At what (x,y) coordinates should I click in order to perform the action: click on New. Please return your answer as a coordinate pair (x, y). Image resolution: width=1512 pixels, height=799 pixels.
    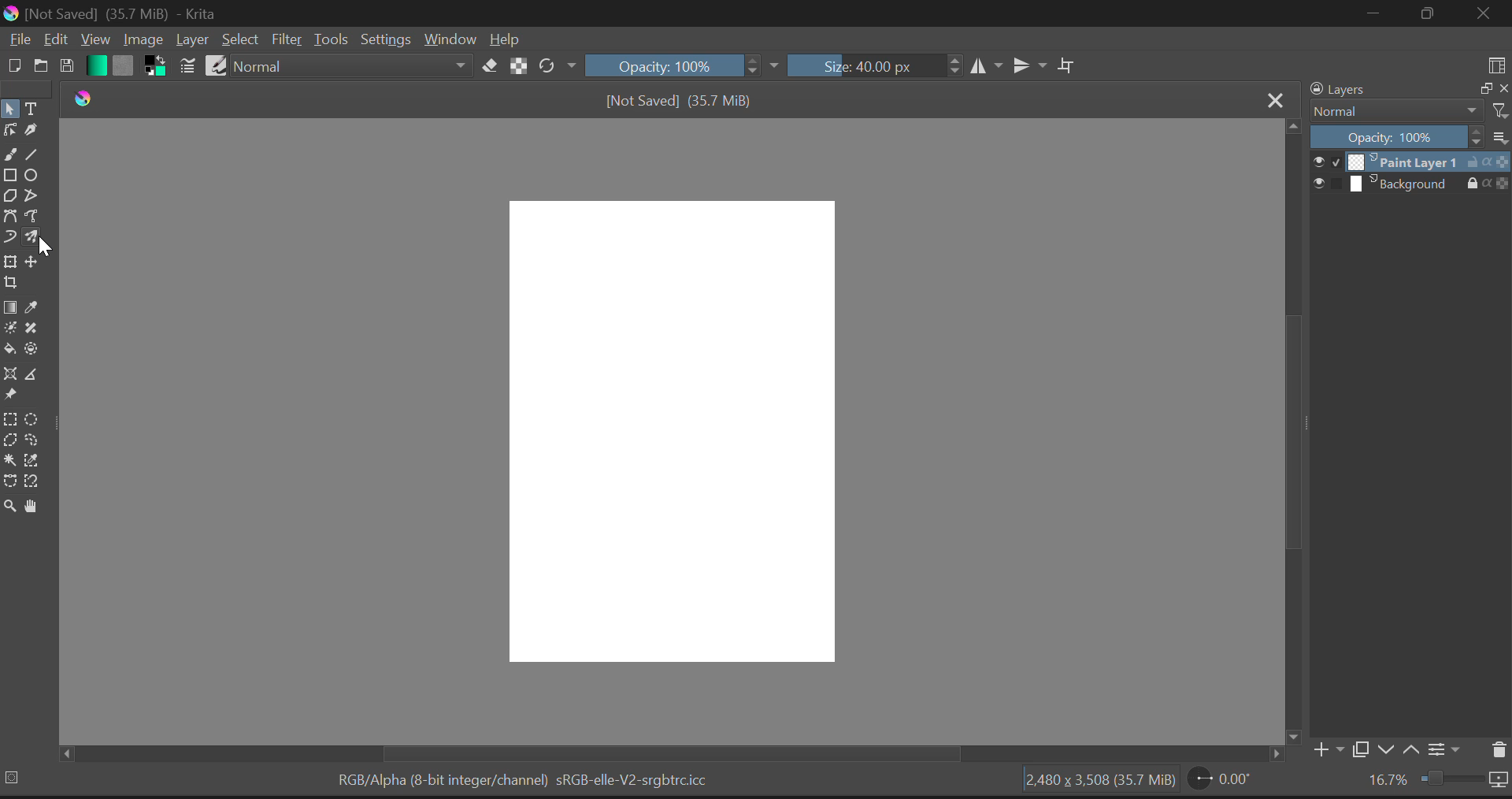
    Looking at the image, I should click on (13, 67).